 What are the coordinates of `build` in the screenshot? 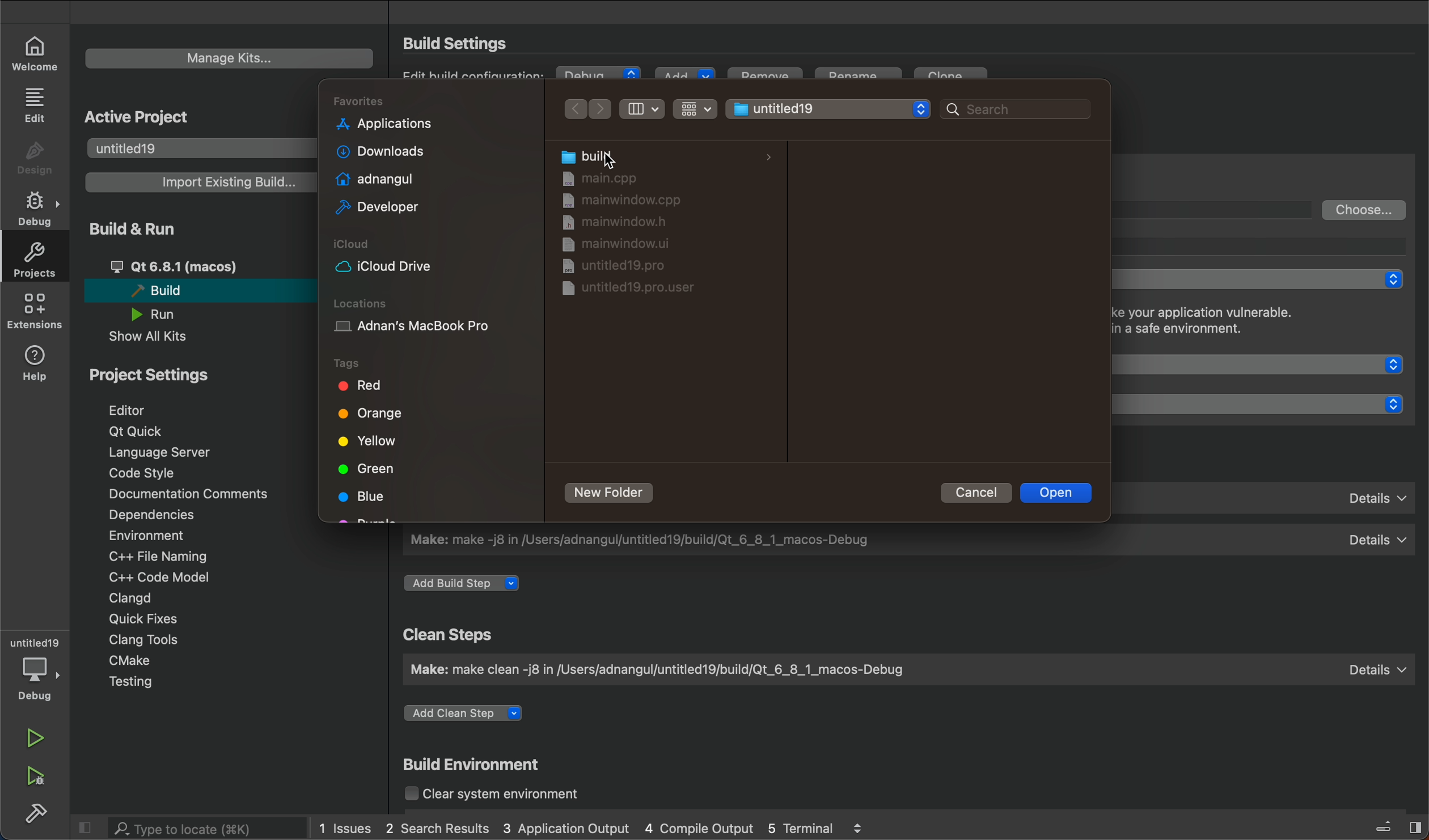 It's located at (37, 811).